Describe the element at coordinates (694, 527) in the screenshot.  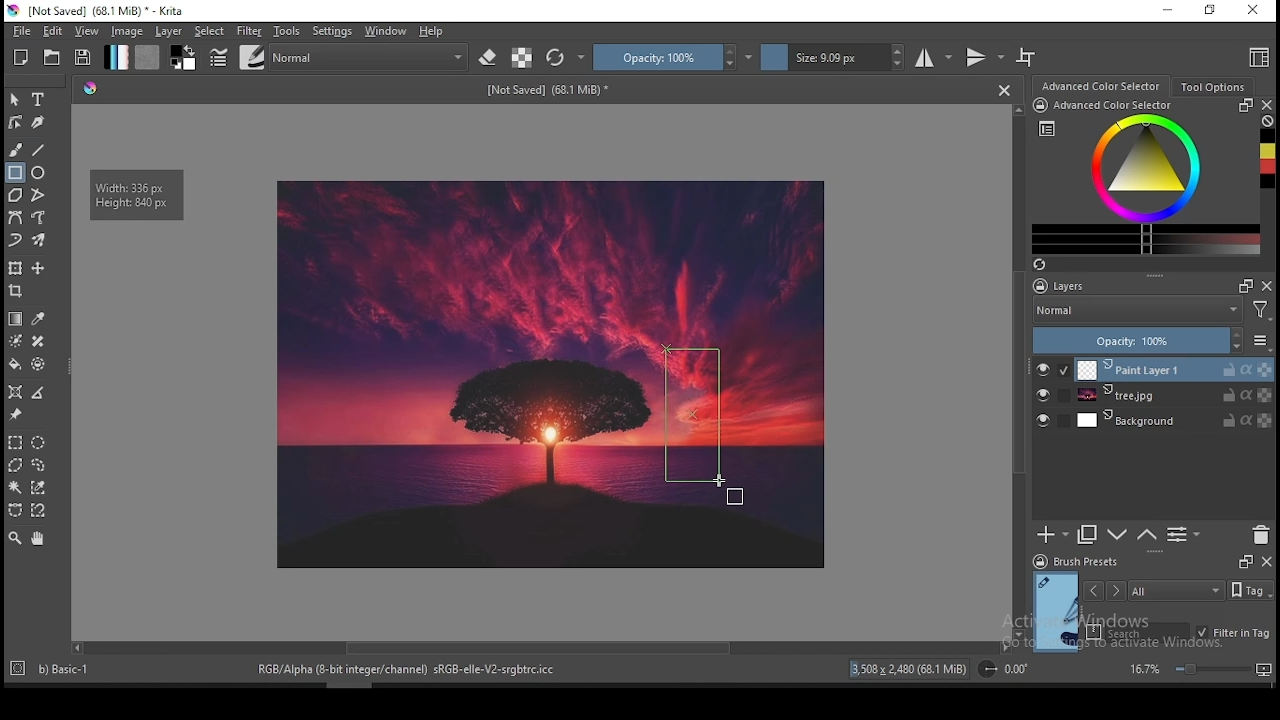
I see `image` at that location.